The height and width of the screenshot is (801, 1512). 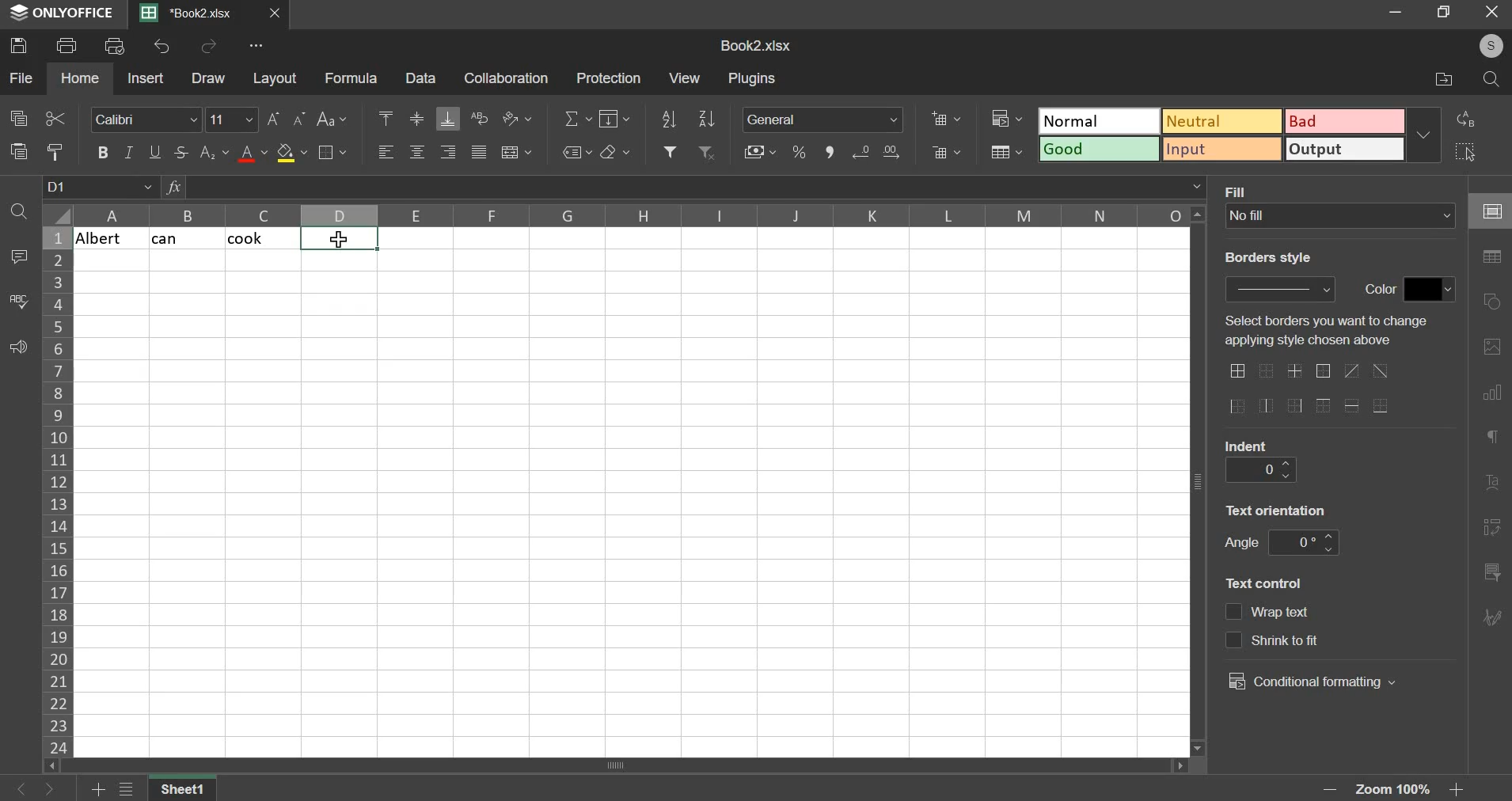 I want to click on align left, so click(x=386, y=153).